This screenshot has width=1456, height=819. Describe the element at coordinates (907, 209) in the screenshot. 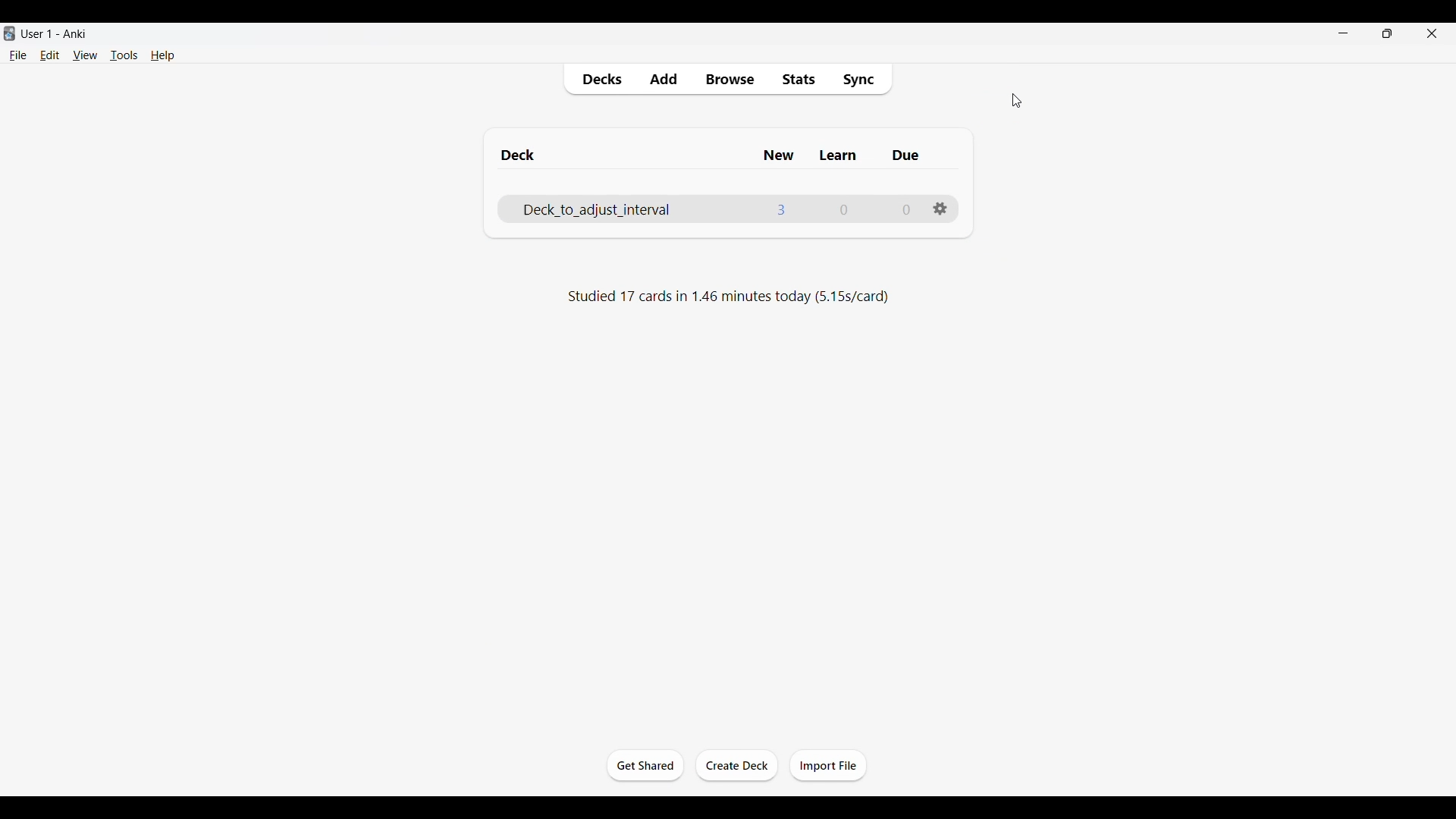

I see `Number of due cards` at that location.